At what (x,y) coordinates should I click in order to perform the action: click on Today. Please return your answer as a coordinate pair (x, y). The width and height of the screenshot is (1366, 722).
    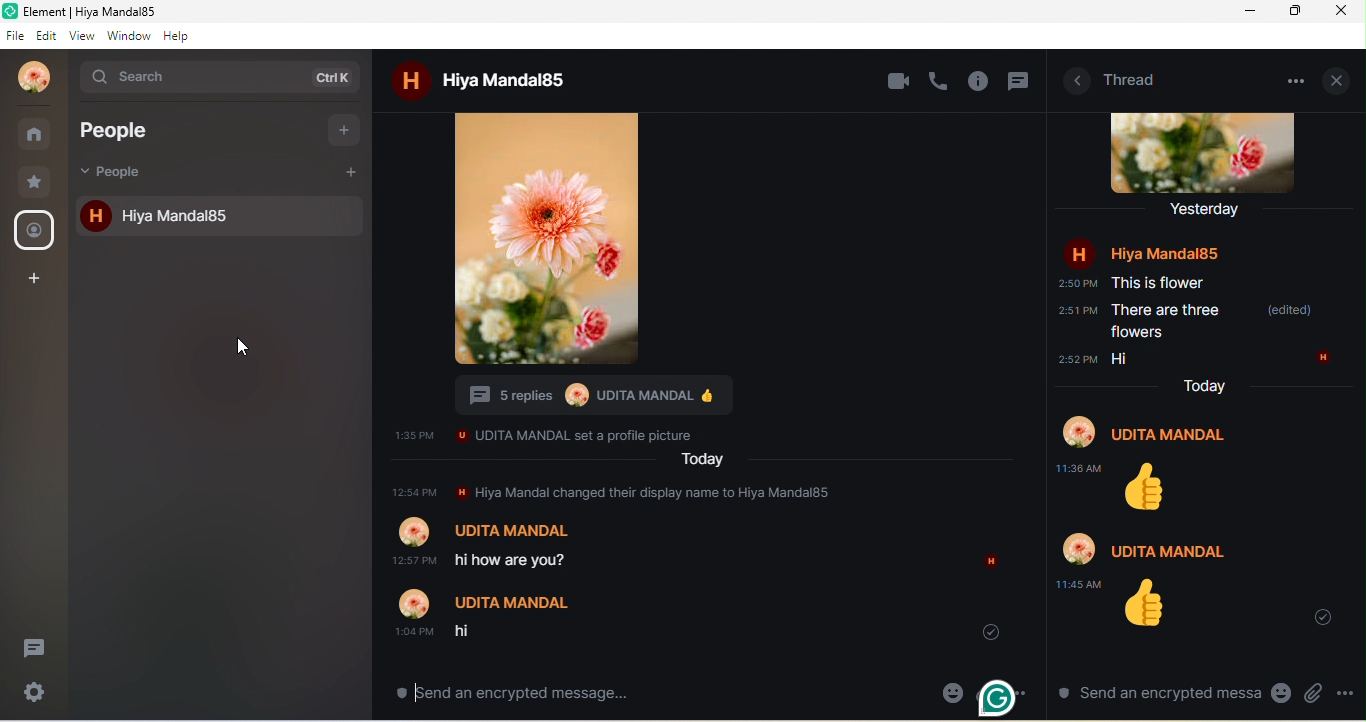
    Looking at the image, I should click on (701, 458).